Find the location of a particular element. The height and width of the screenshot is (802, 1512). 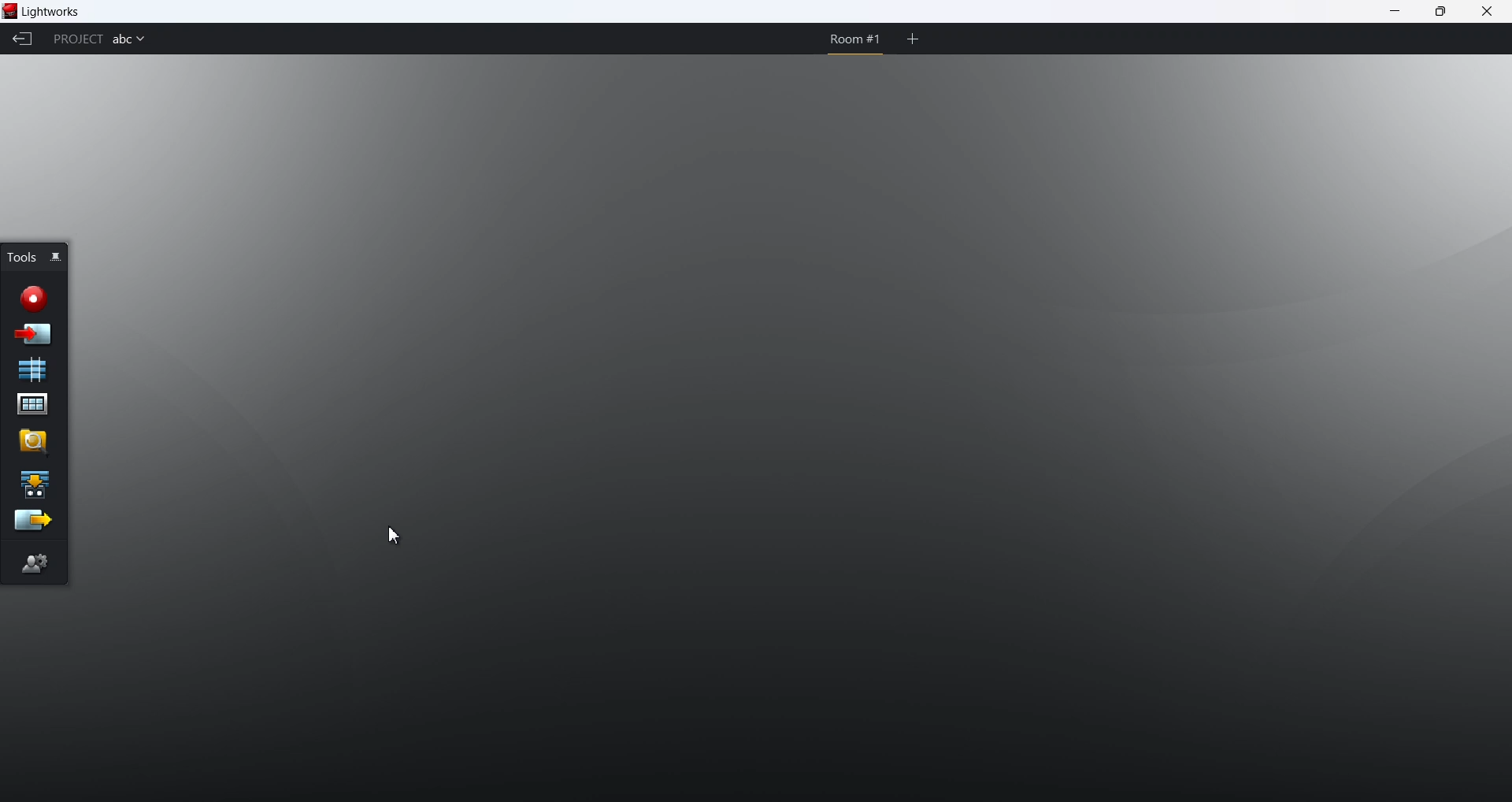

record is located at coordinates (33, 295).